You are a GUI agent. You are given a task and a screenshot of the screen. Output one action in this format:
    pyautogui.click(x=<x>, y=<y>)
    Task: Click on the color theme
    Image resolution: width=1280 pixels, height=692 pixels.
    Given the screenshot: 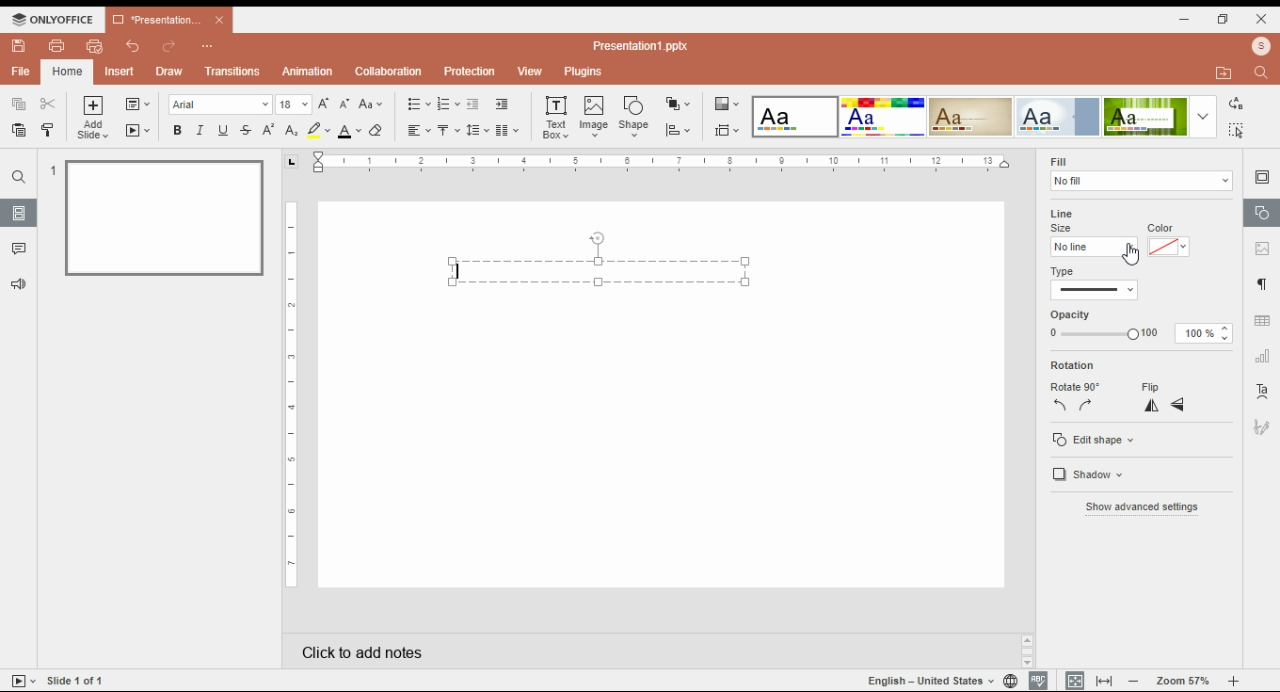 What is the action you would take?
    pyautogui.click(x=795, y=117)
    